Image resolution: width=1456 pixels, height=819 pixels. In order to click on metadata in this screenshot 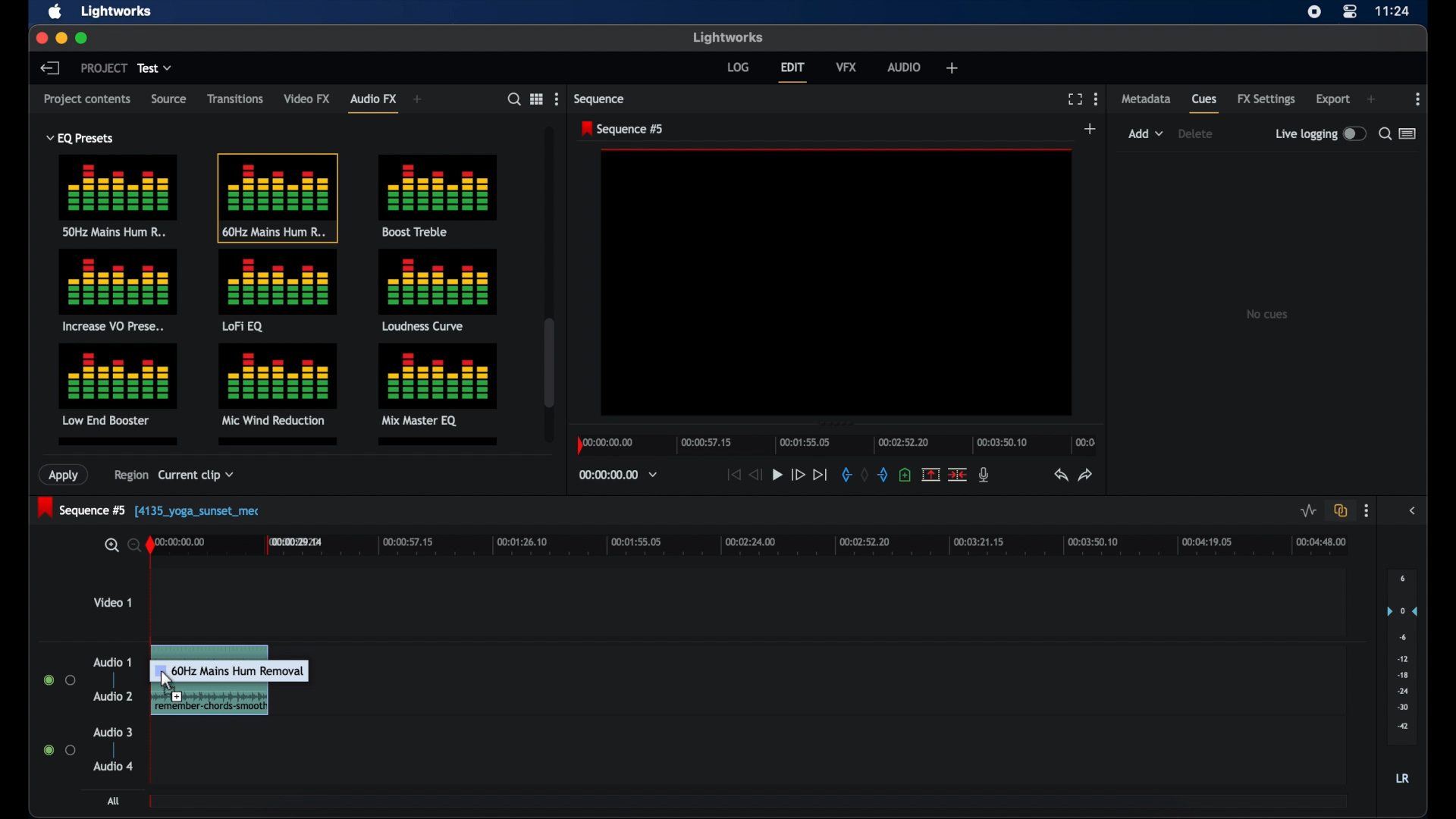, I will do `click(1147, 98)`.